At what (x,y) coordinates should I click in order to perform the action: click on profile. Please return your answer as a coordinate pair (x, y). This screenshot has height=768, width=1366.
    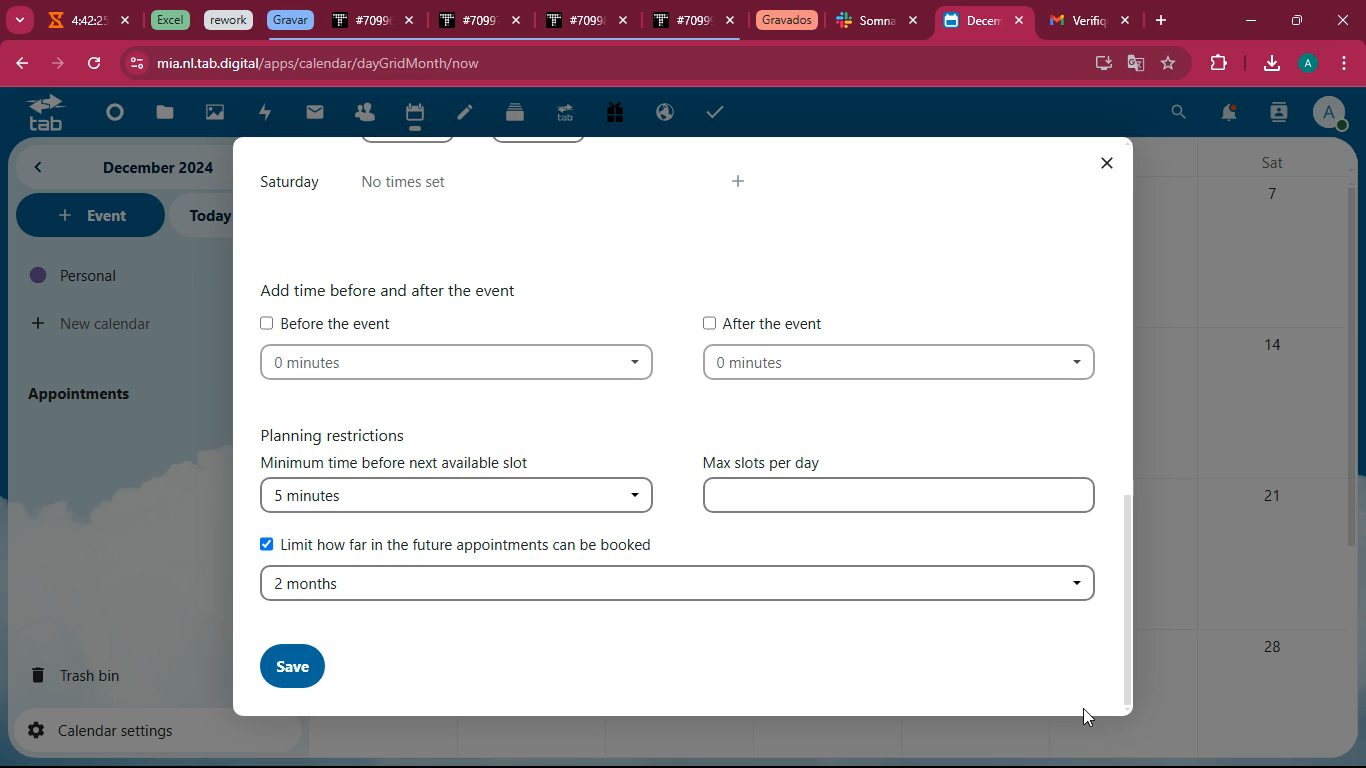
    Looking at the image, I should click on (1311, 63).